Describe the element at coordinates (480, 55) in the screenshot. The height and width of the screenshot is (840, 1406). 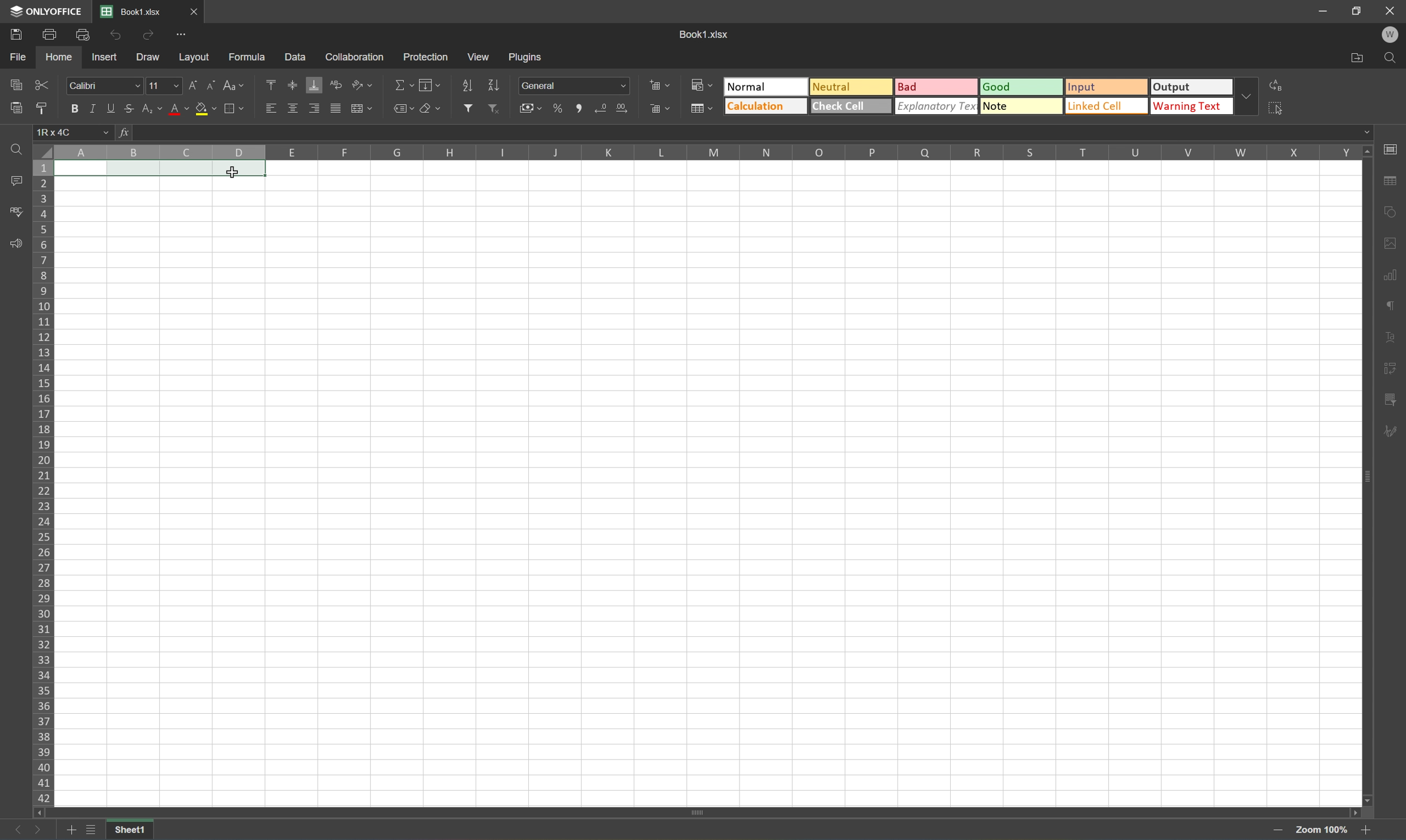
I see `View` at that location.